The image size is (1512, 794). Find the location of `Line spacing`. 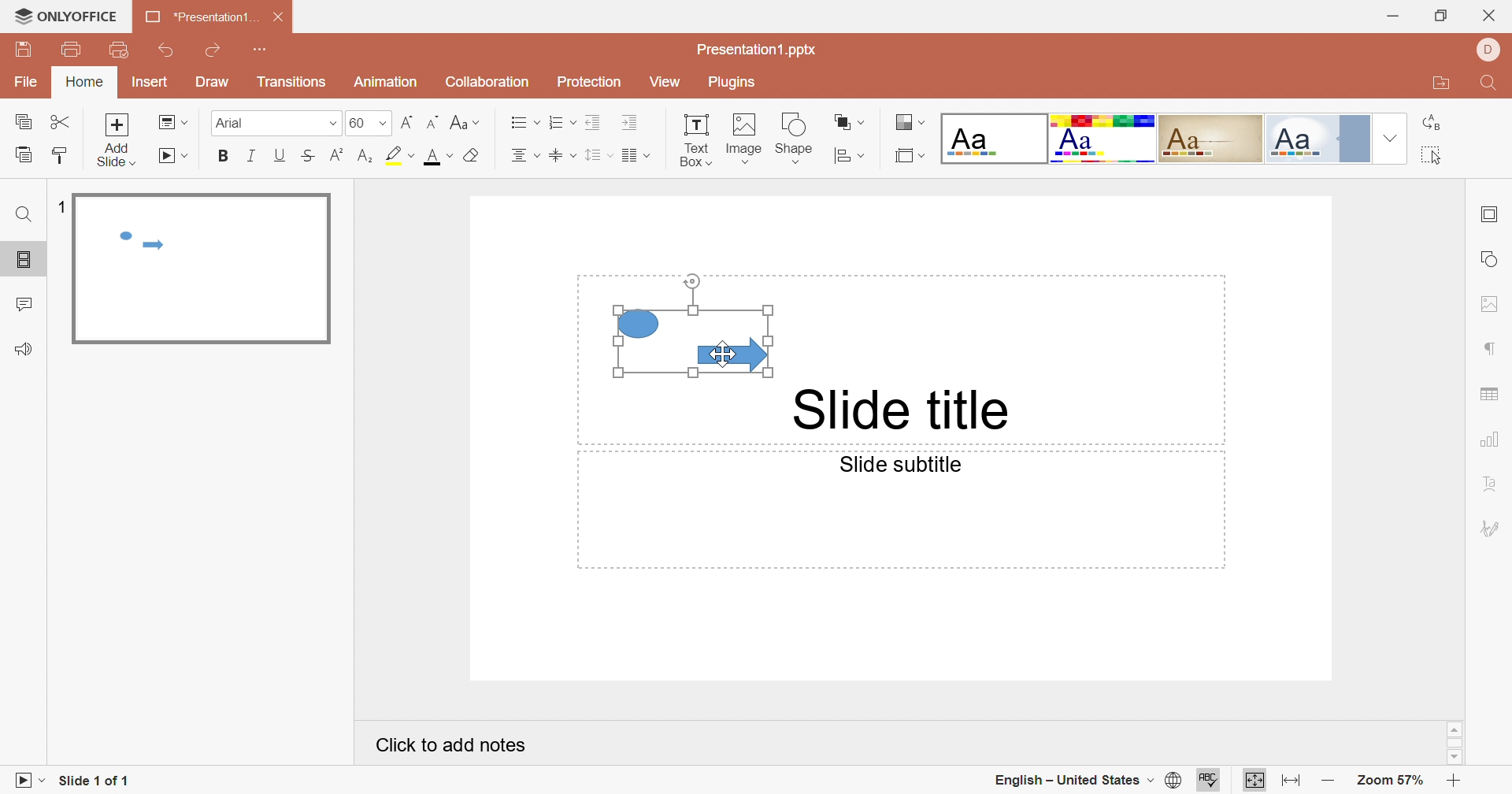

Line spacing is located at coordinates (596, 155).